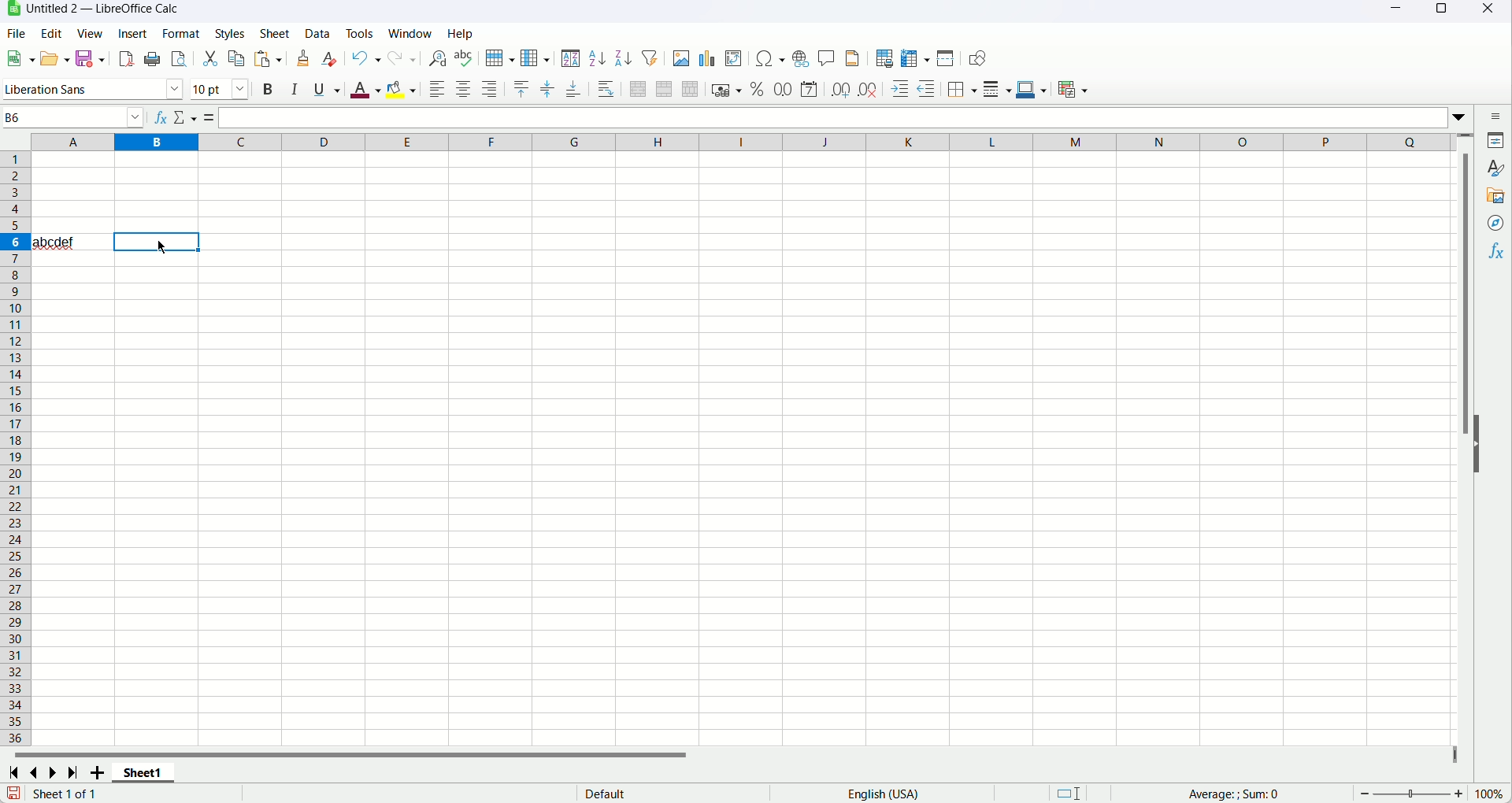  I want to click on help, so click(460, 33).